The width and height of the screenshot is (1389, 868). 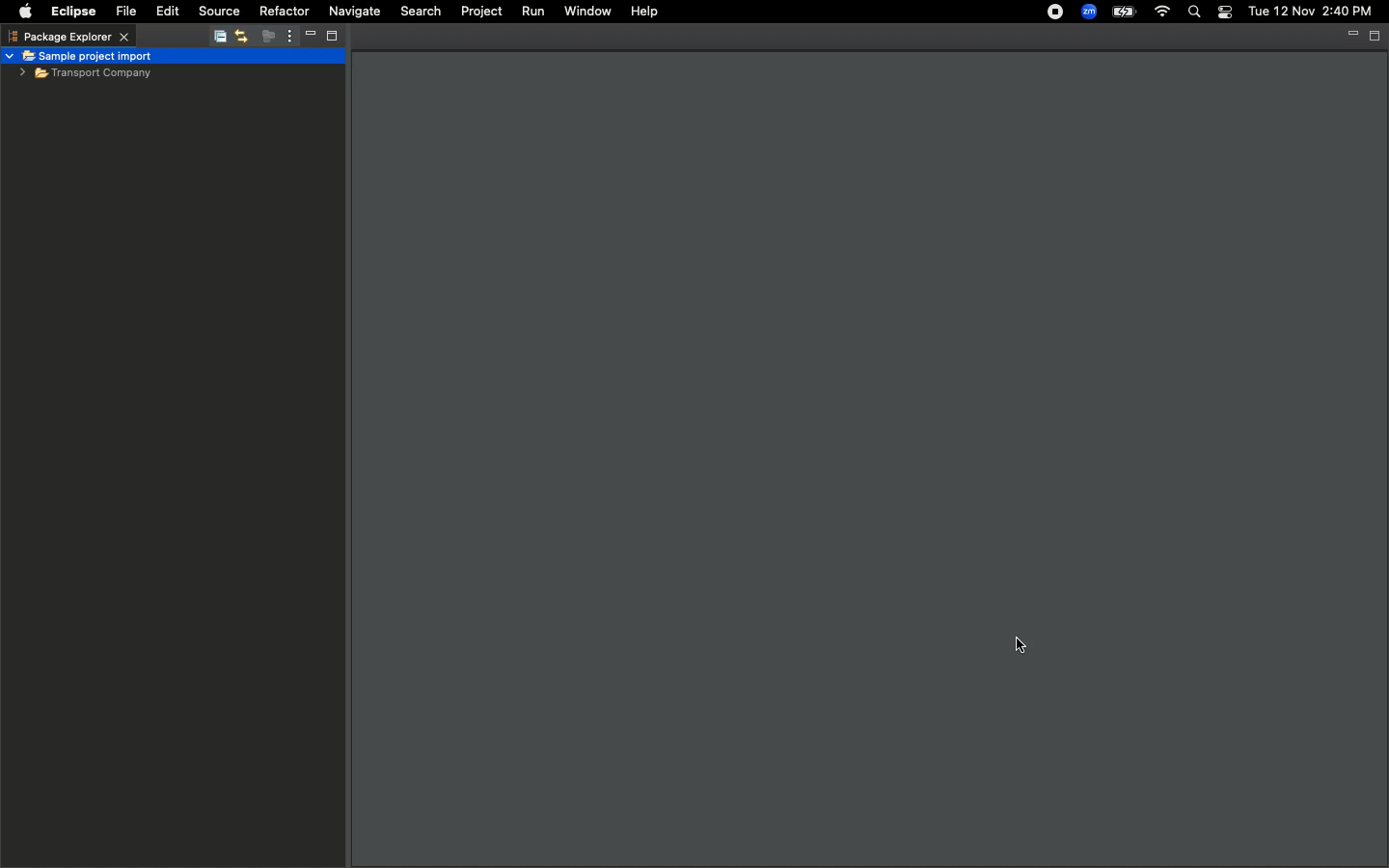 What do you see at coordinates (286, 37) in the screenshot?
I see `View menu` at bounding box center [286, 37].